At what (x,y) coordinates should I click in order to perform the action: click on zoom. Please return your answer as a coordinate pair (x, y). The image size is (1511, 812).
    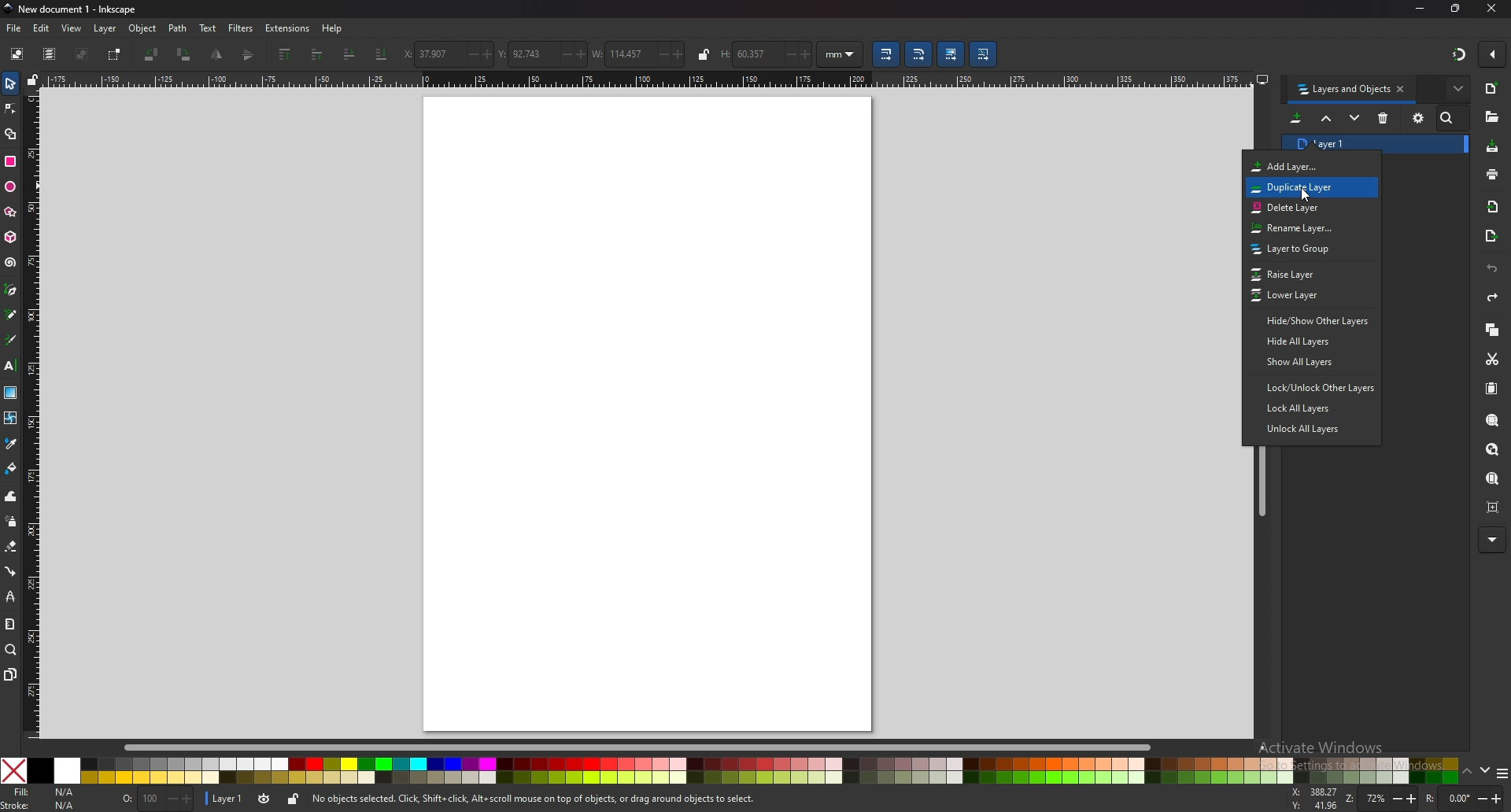
    Looking at the image, I should click on (1381, 798).